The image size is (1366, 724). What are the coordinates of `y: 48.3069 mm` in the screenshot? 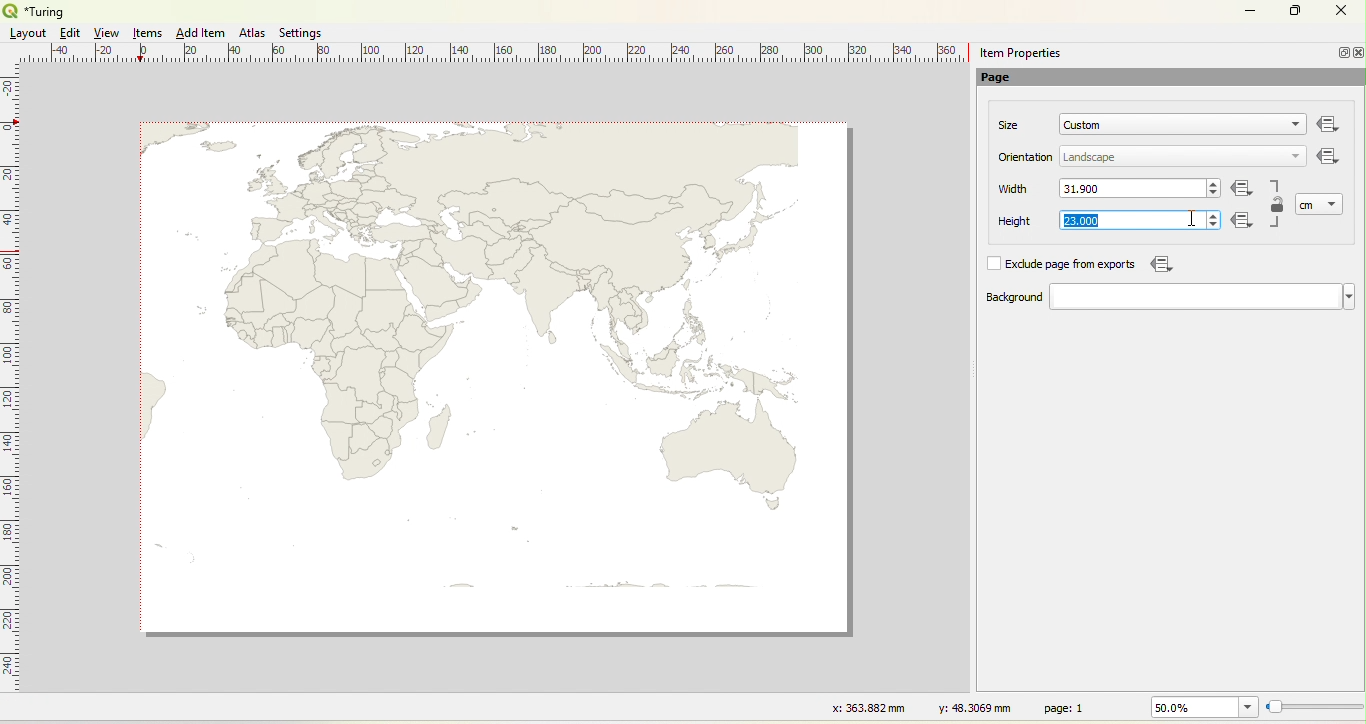 It's located at (968, 707).